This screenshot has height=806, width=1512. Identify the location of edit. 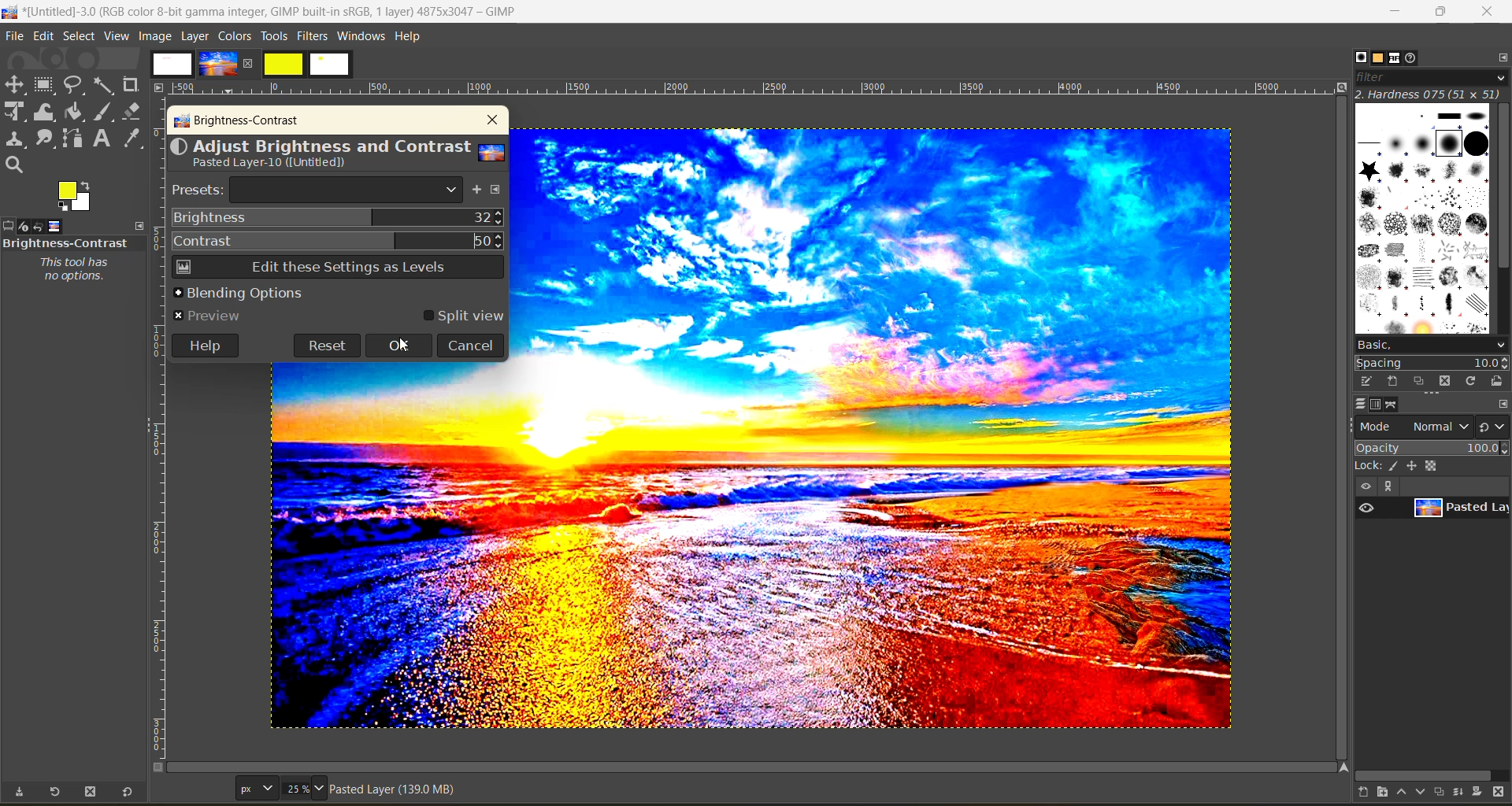
(46, 38).